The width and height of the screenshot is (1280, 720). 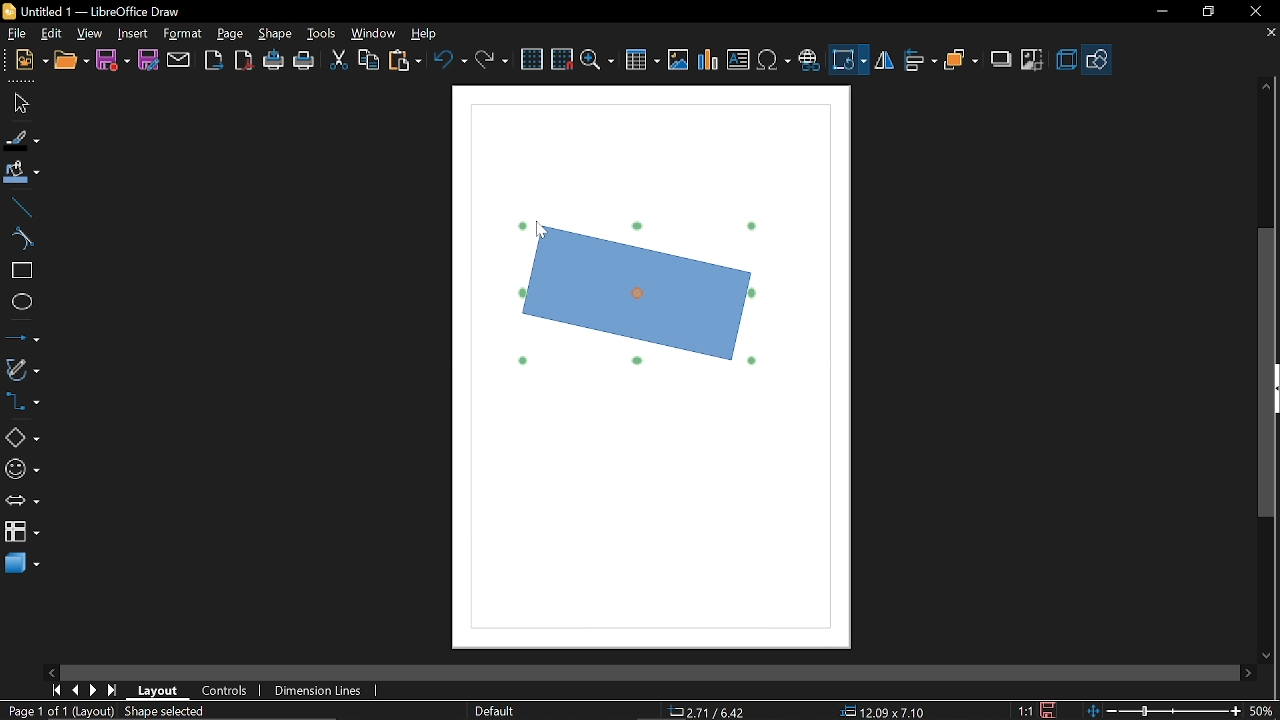 I want to click on previous page, so click(x=75, y=690).